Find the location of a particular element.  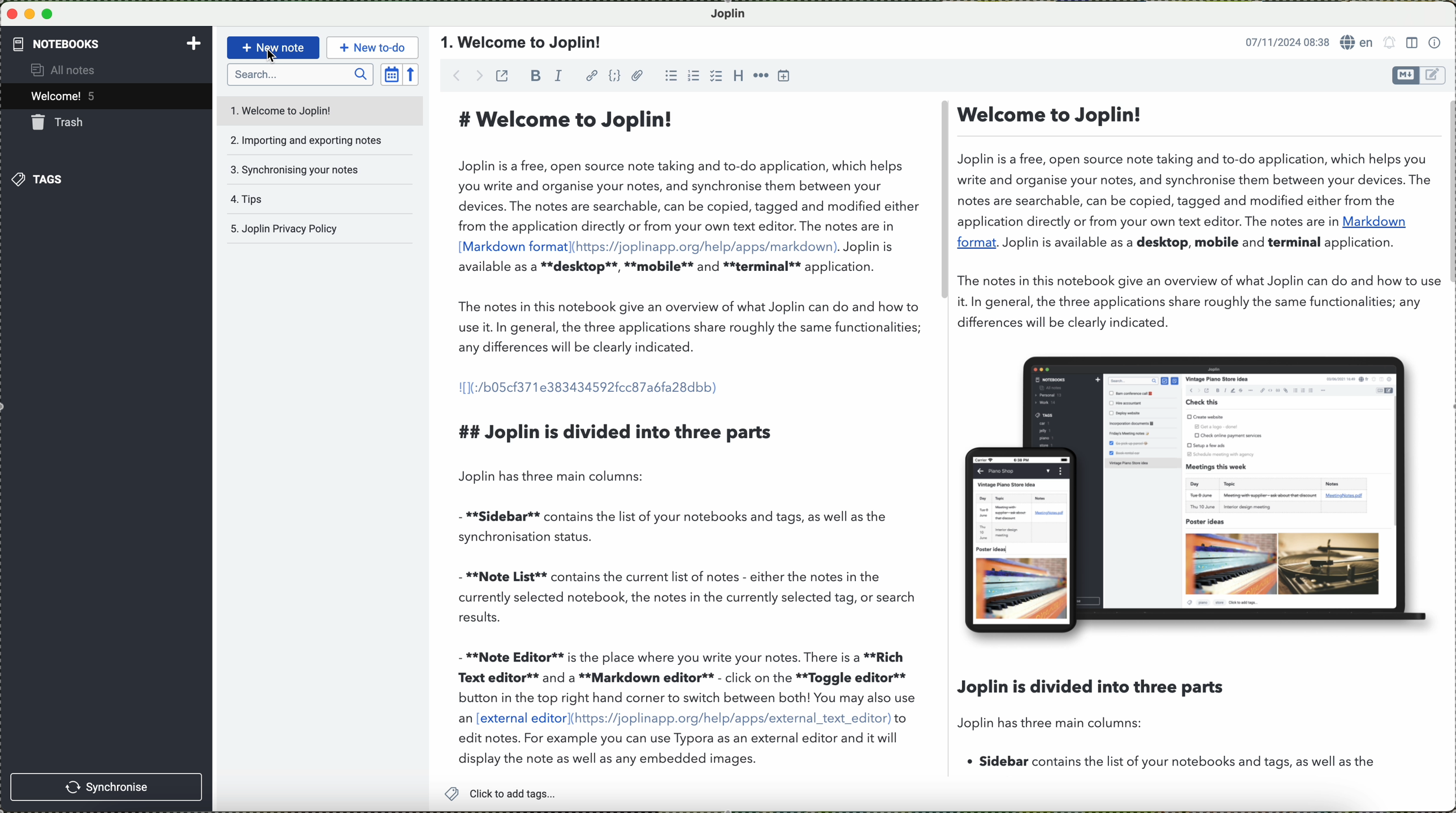

reverse sort order is located at coordinates (414, 73).